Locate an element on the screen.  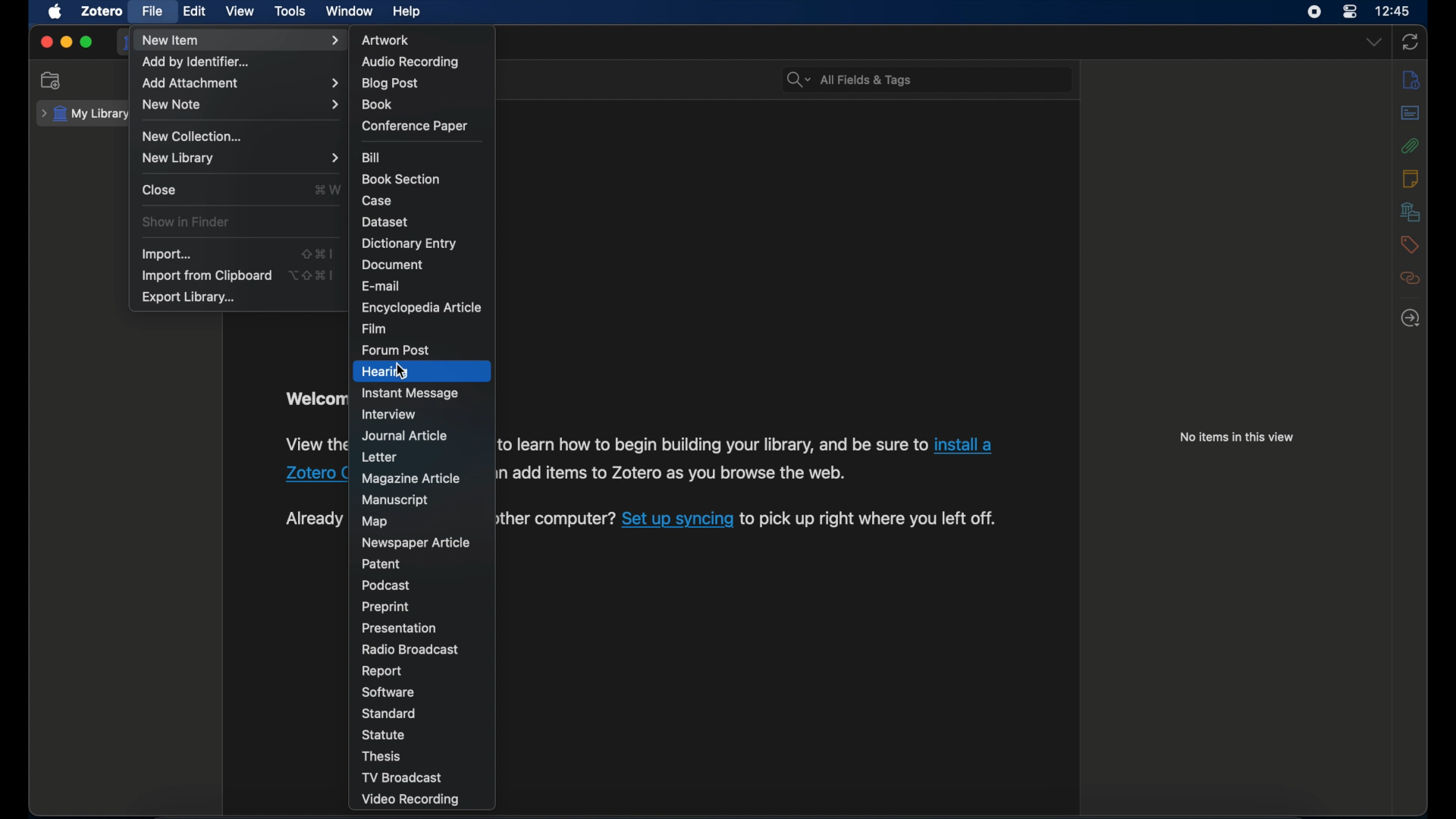
hearing is located at coordinates (384, 372).